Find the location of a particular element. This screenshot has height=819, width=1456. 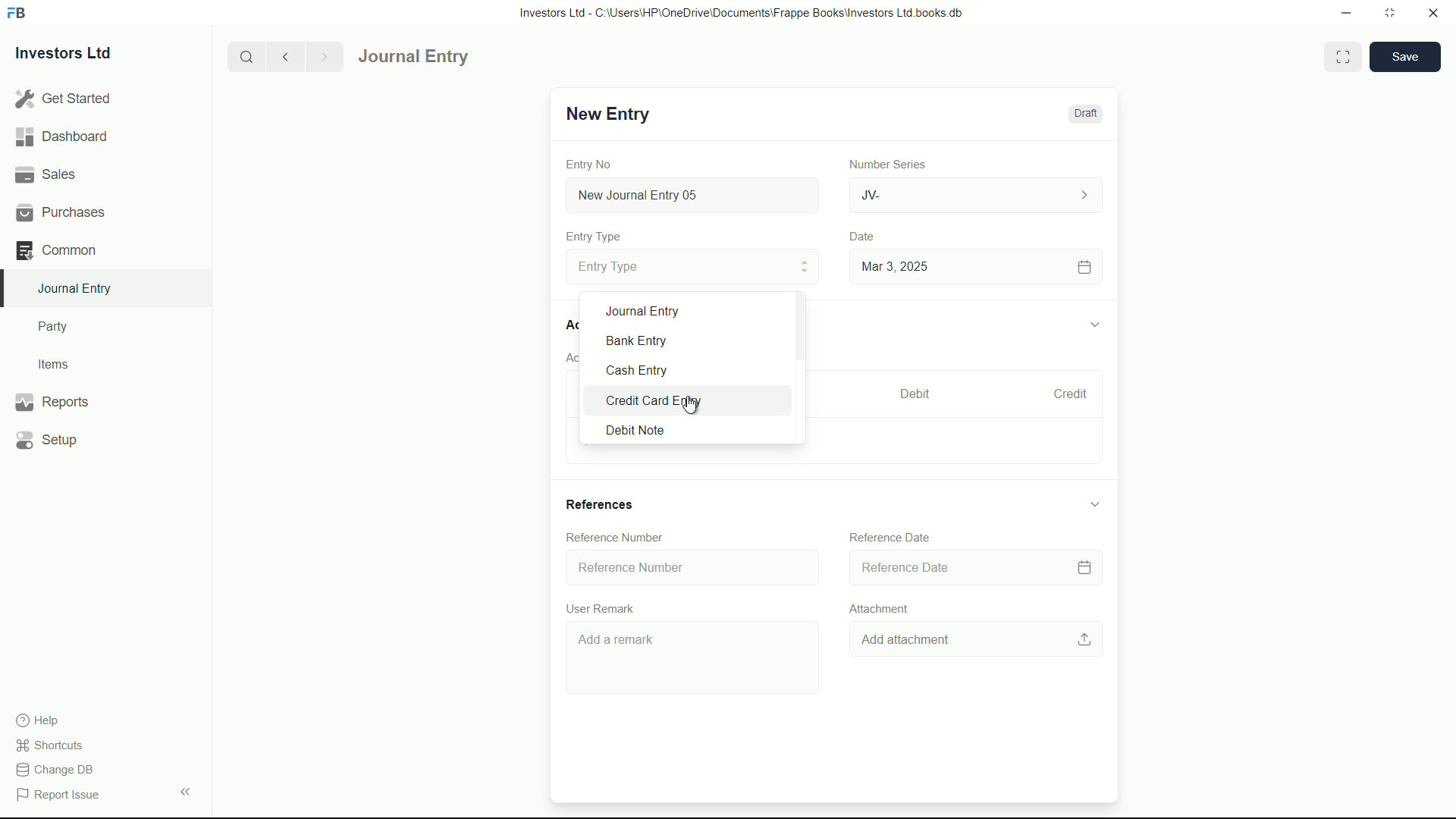

Reference Number is located at coordinates (690, 566).